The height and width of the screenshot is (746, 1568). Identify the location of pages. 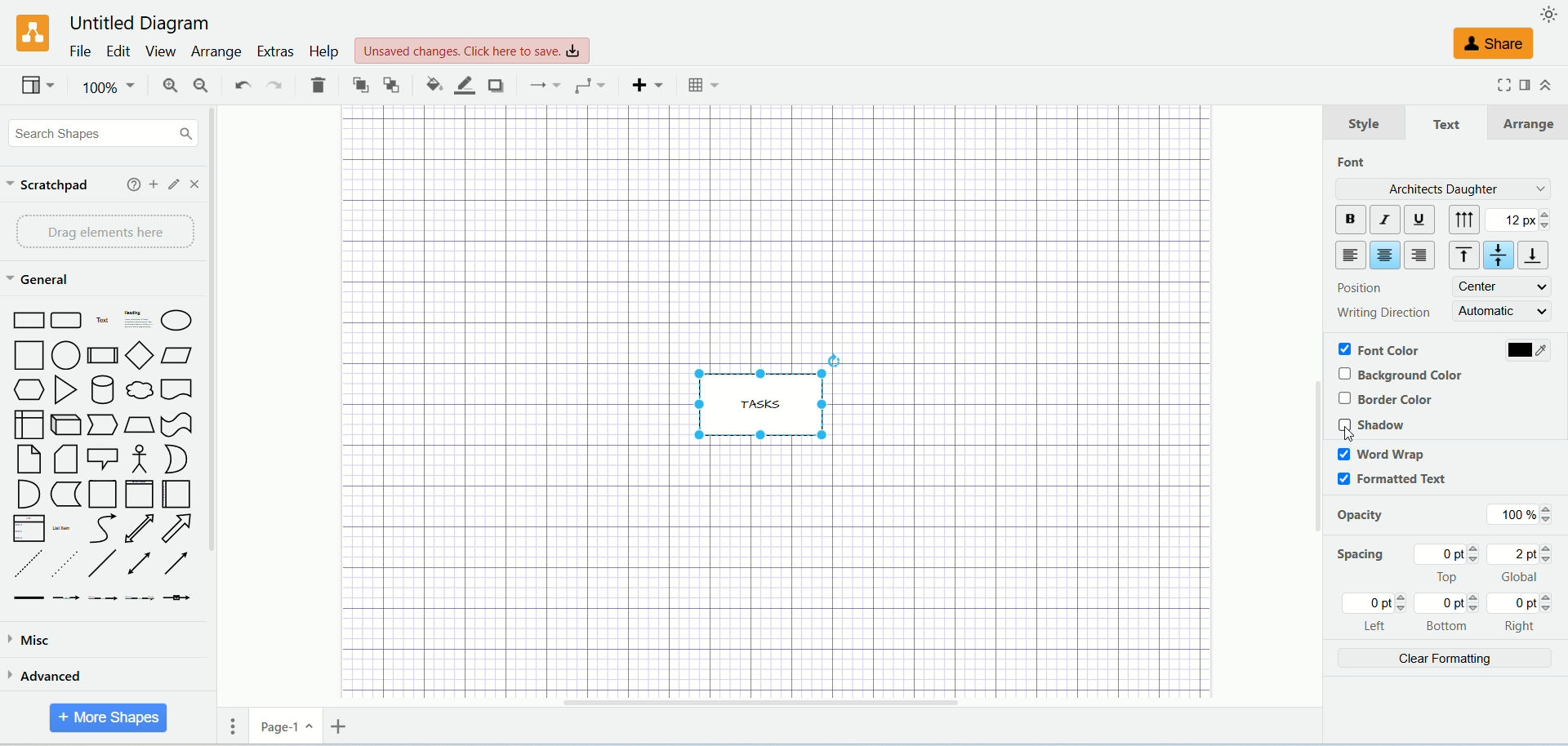
(227, 726).